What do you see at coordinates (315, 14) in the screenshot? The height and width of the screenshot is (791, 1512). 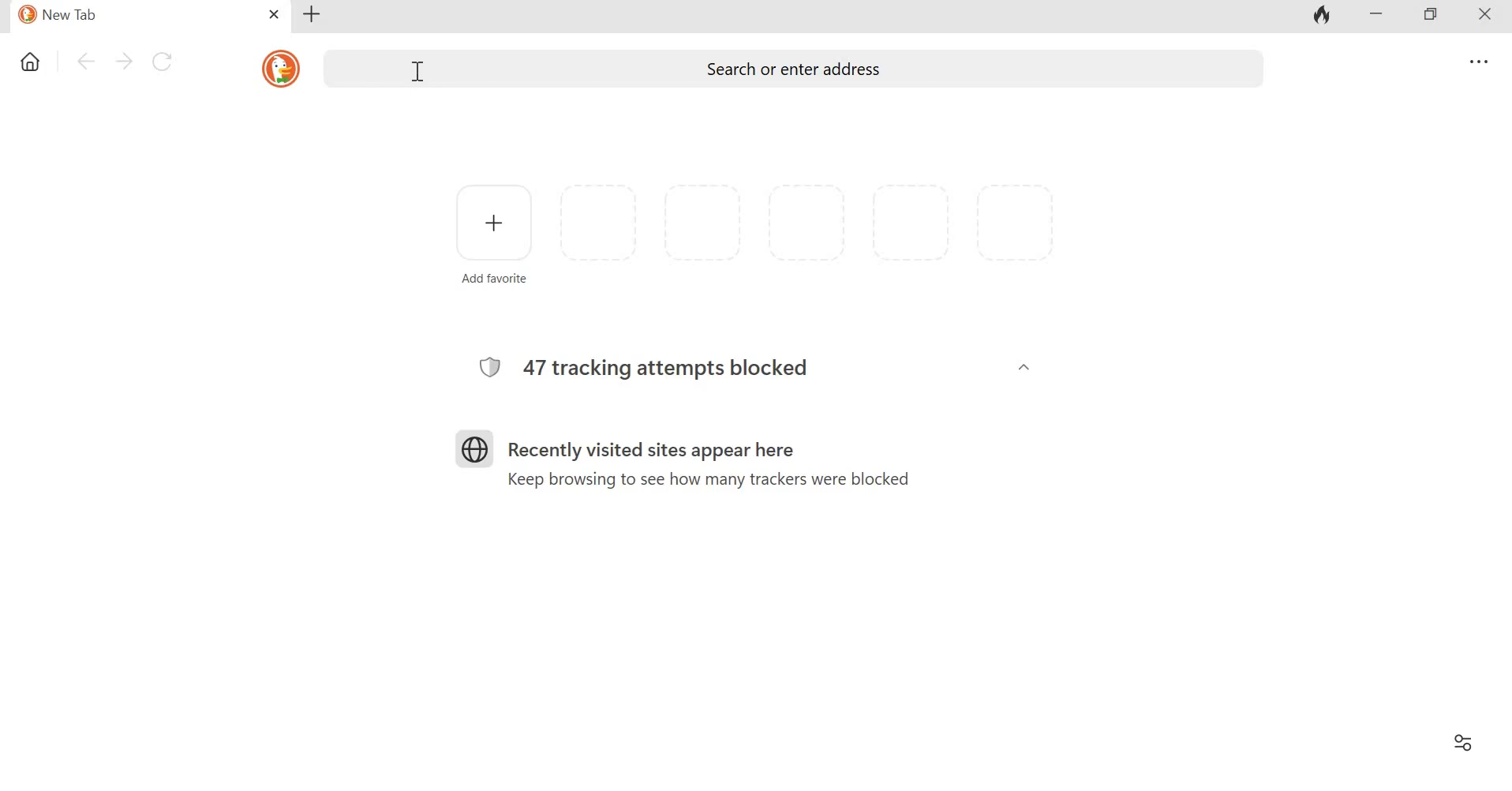 I see `Add new tab` at bounding box center [315, 14].